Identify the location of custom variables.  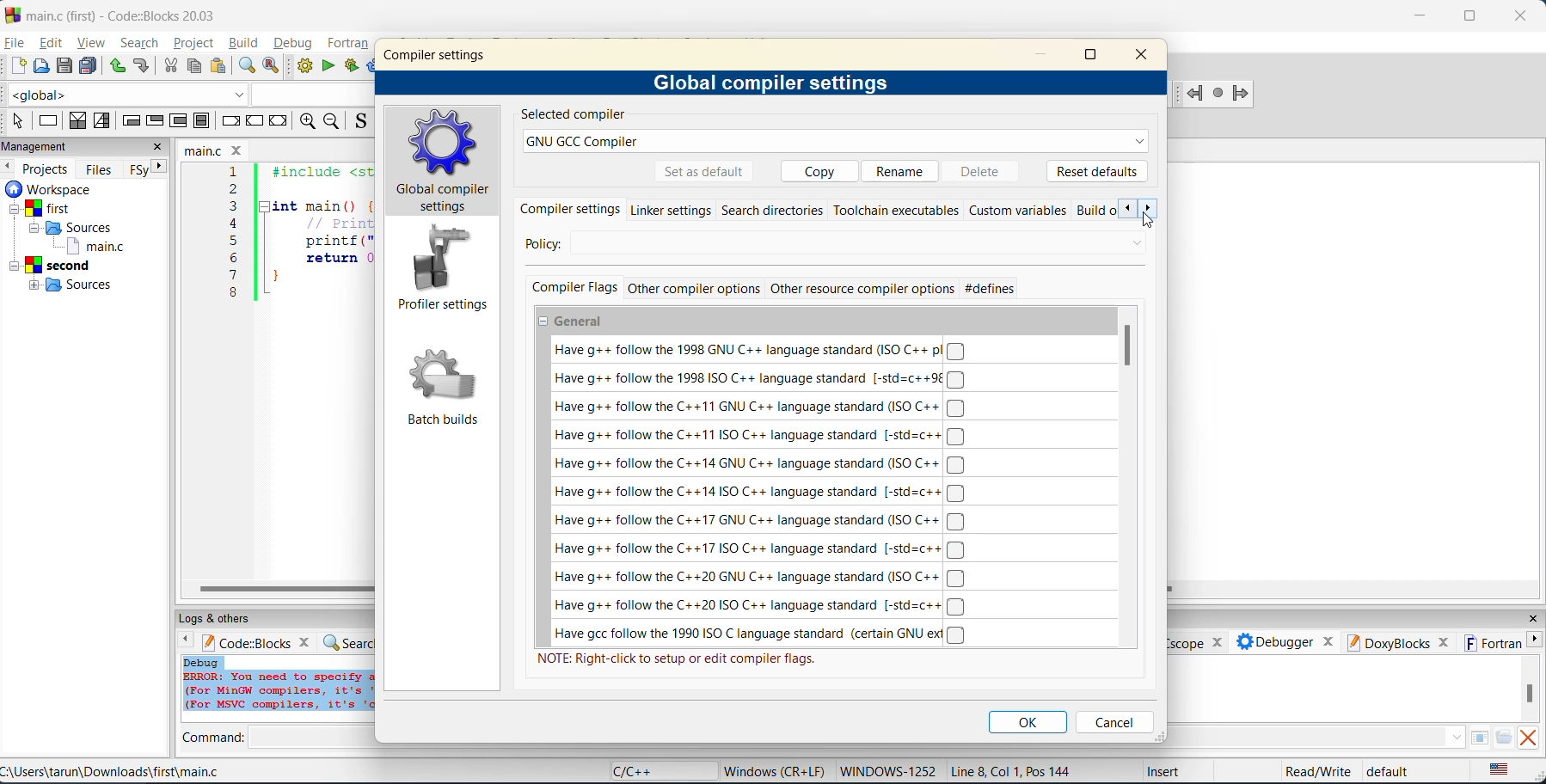
(1018, 210).